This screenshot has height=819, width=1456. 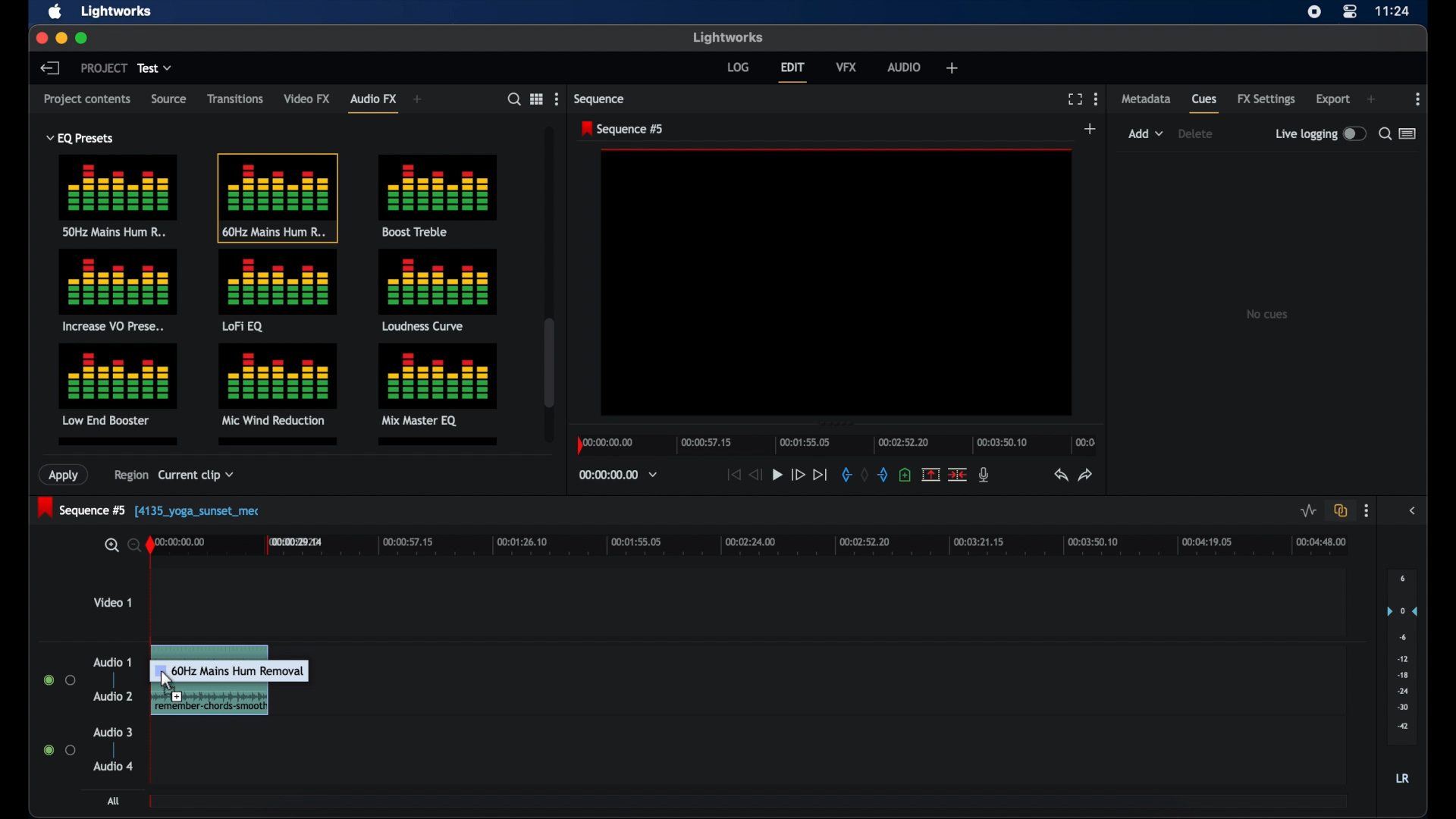 What do you see at coordinates (1341, 510) in the screenshot?
I see `toggle auto track sync` at bounding box center [1341, 510].